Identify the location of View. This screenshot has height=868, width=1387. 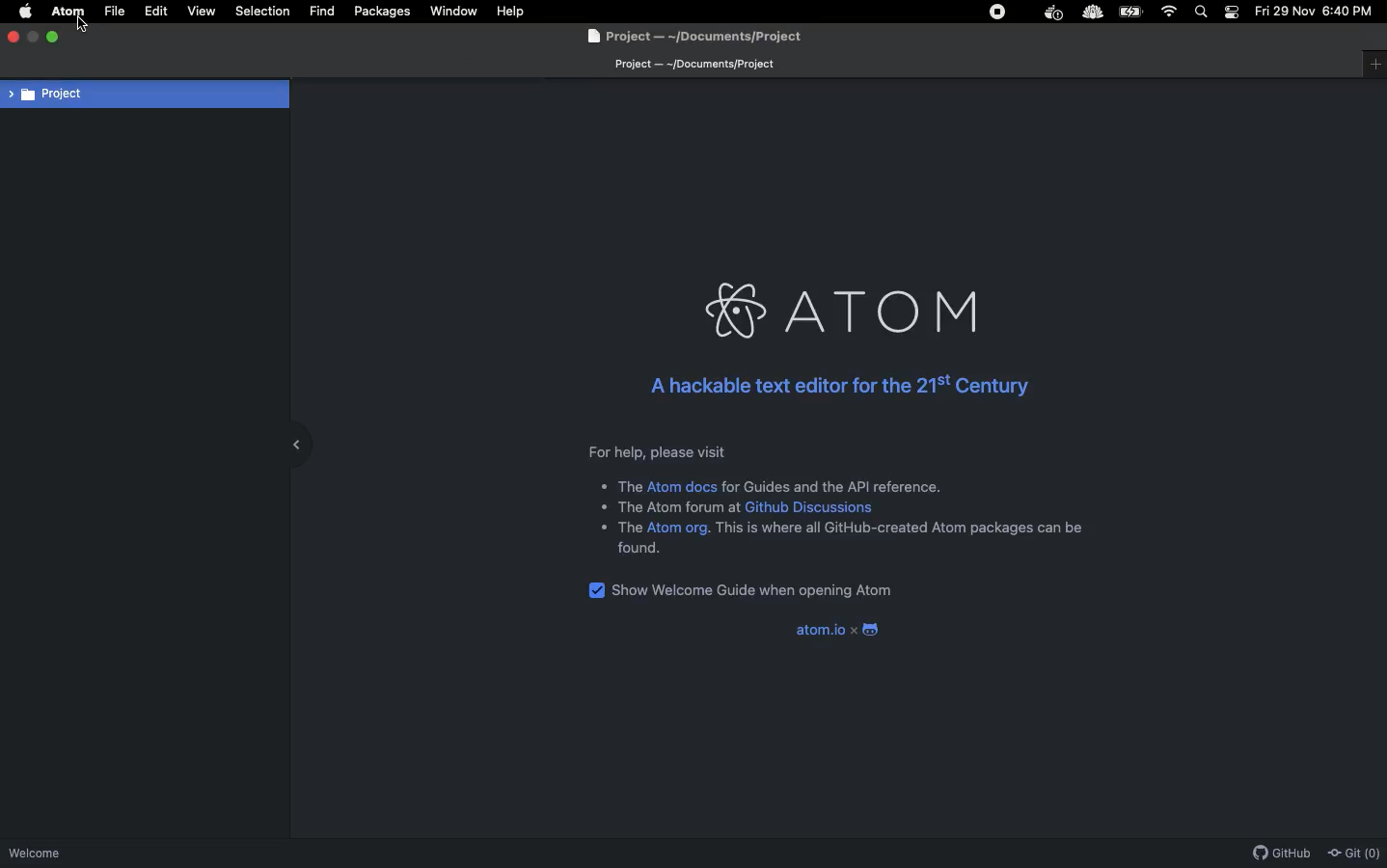
(202, 12).